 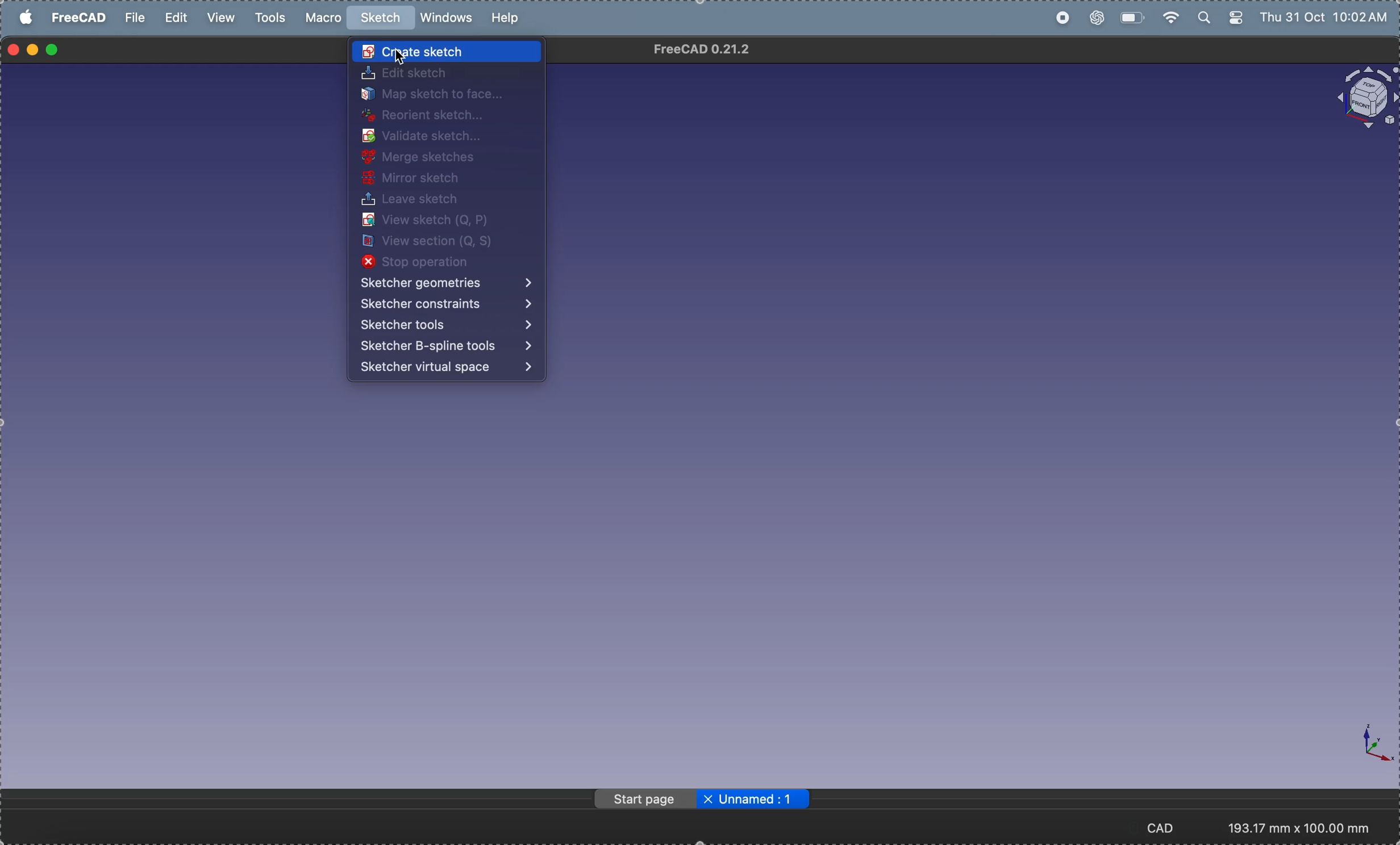 I want to click on map sketch to face, so click(x=442, y=95).